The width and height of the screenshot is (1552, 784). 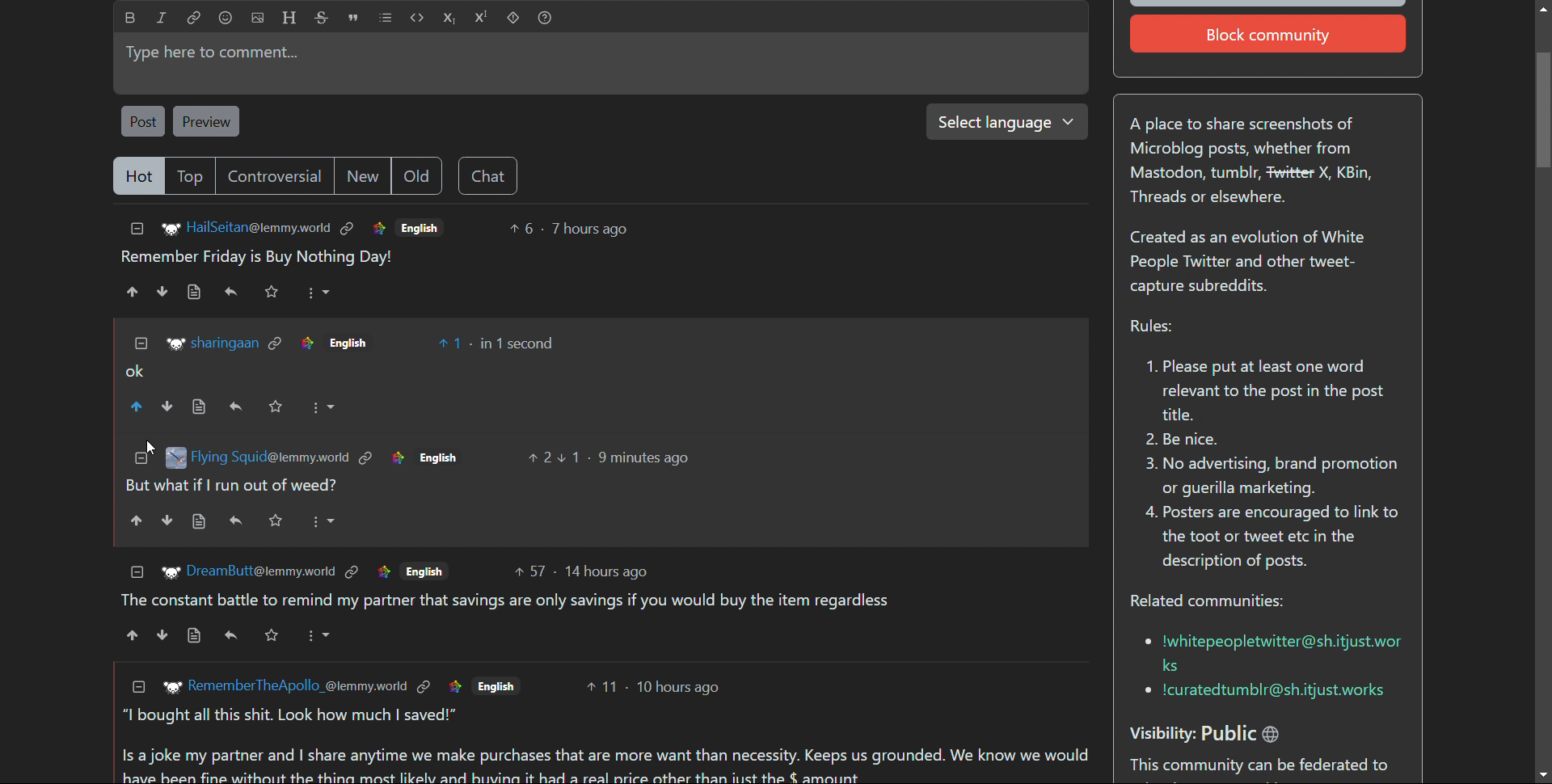 What do you see at coordinates (232, 291) in the screenshot?
I see `reply` at bounding box center [232, 291].